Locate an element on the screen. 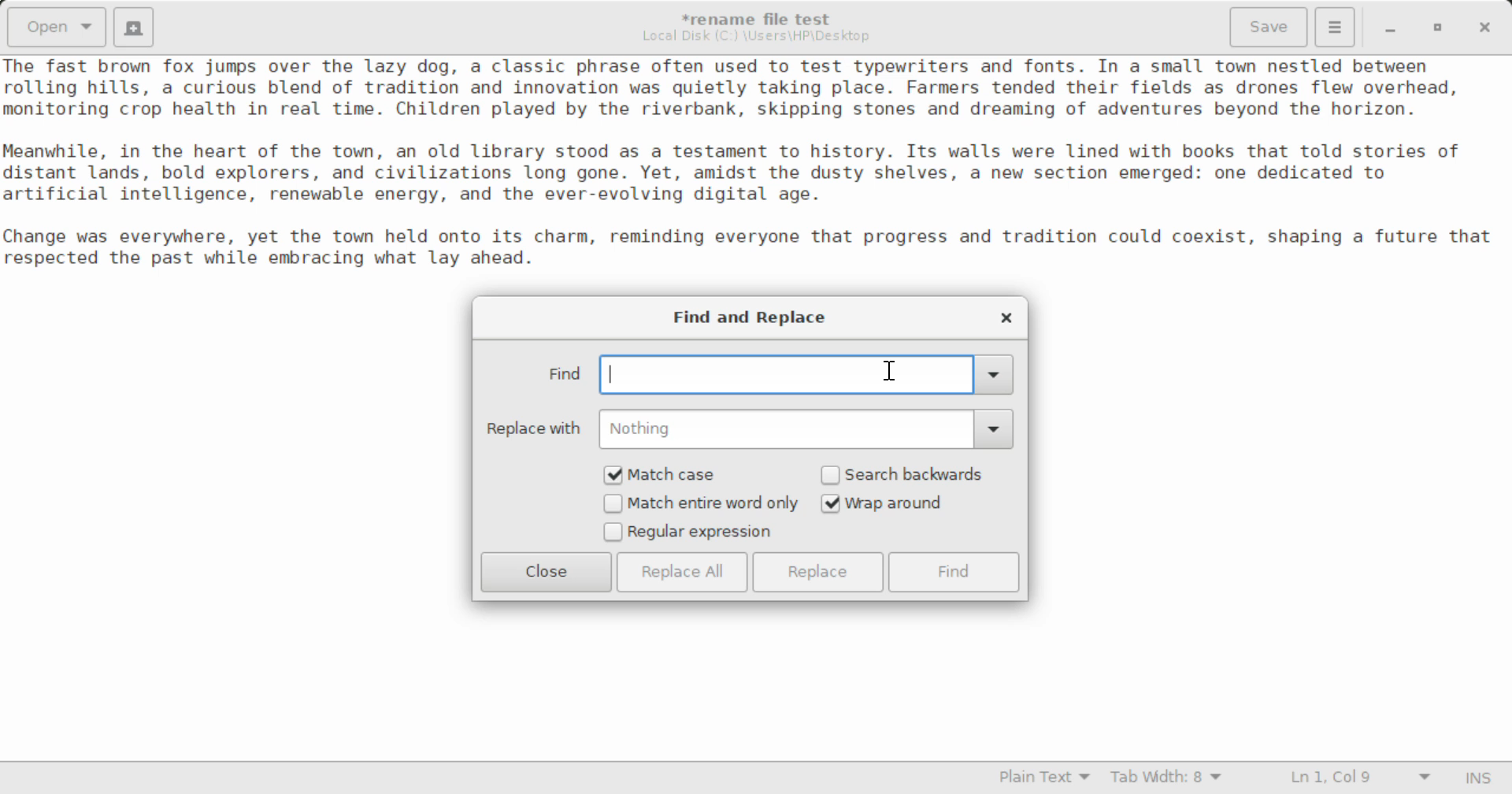 The width and height of the screenshot is (1512, 794). Close is located at coordinates (547, 572).